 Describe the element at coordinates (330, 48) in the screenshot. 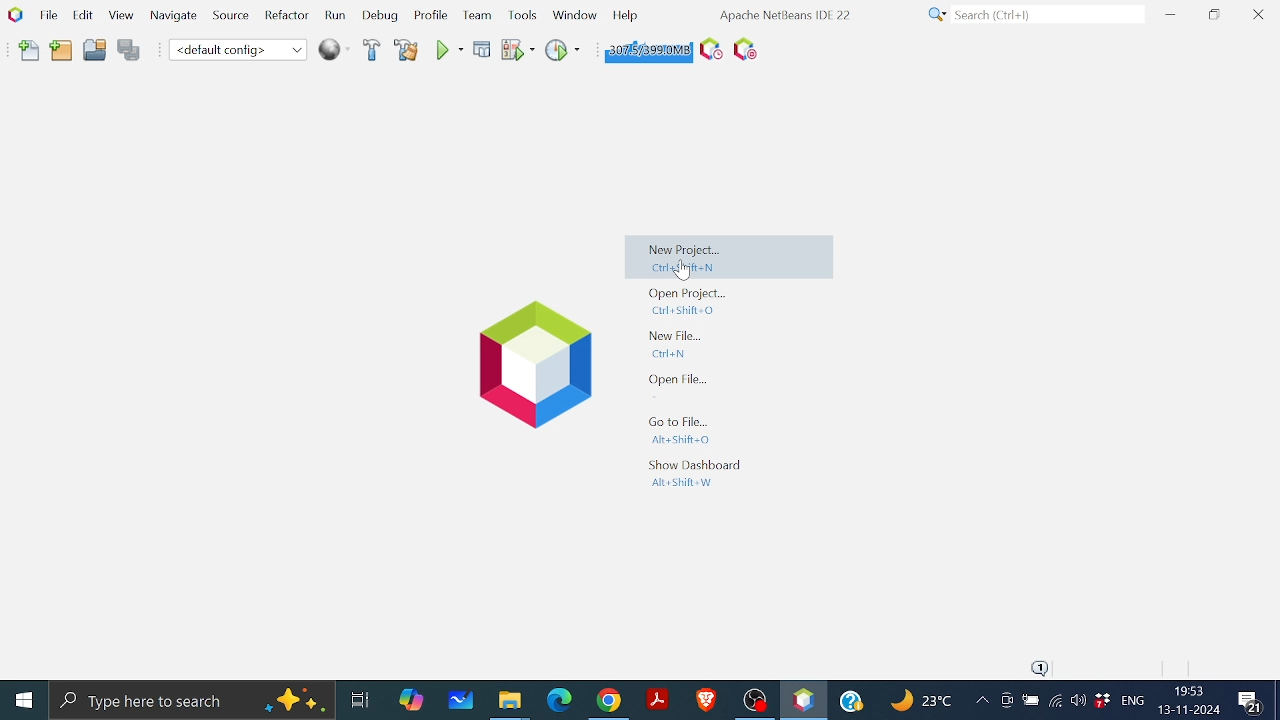

I see `Web` at that location.